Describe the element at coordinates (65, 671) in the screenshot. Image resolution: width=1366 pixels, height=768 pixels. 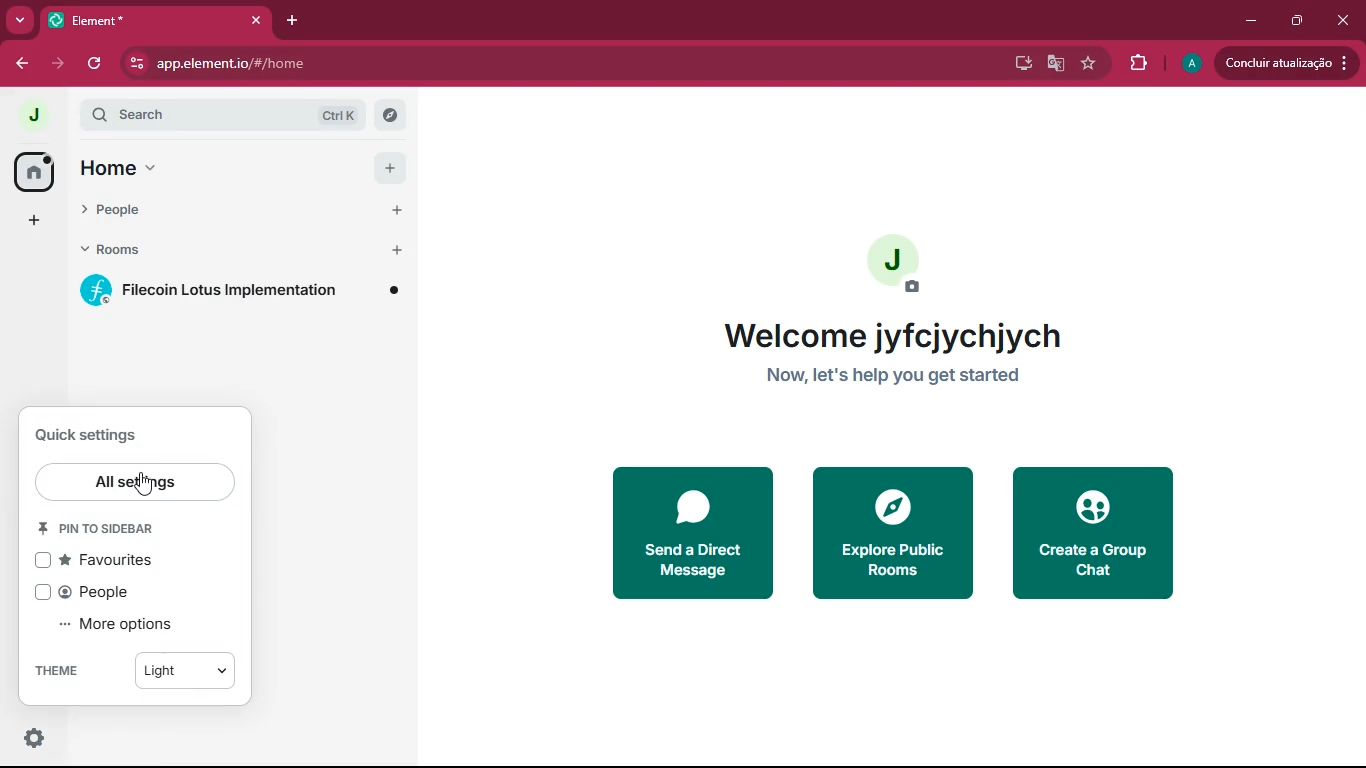
I see `theme` at that location.